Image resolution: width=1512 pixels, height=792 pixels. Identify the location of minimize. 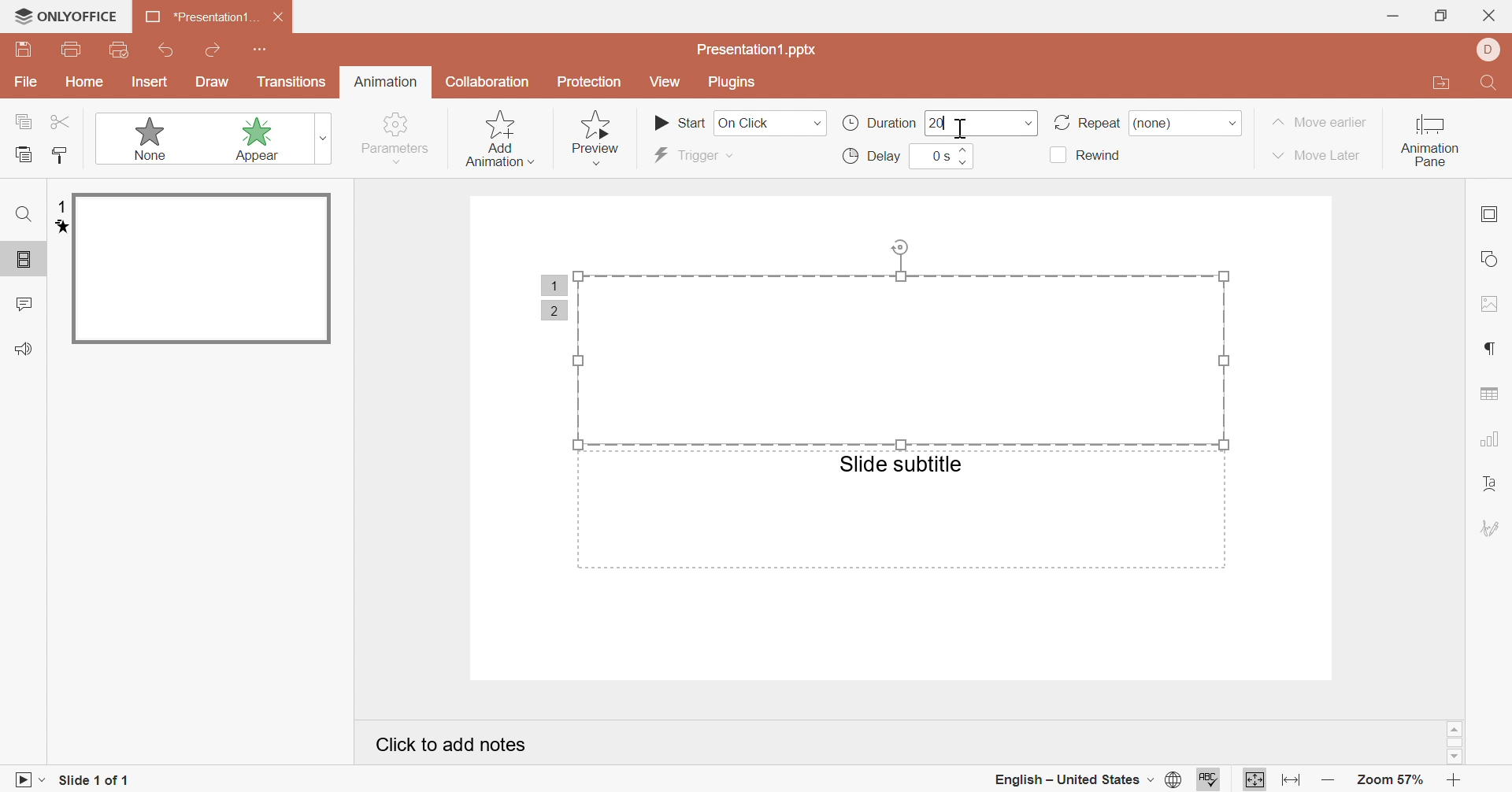
(1394, 17).